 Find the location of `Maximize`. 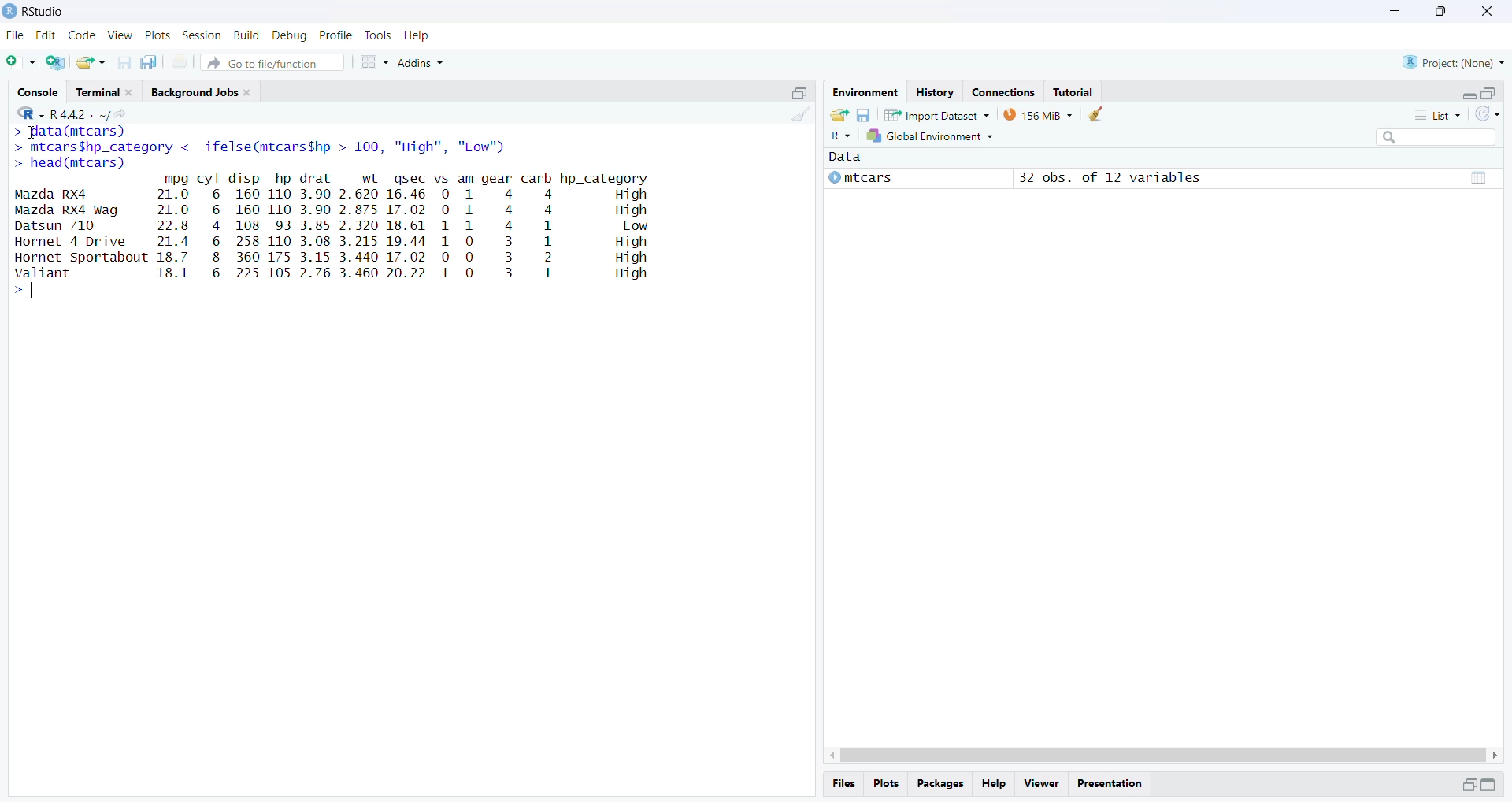

Maximize is located at coordinates (1493, 785).